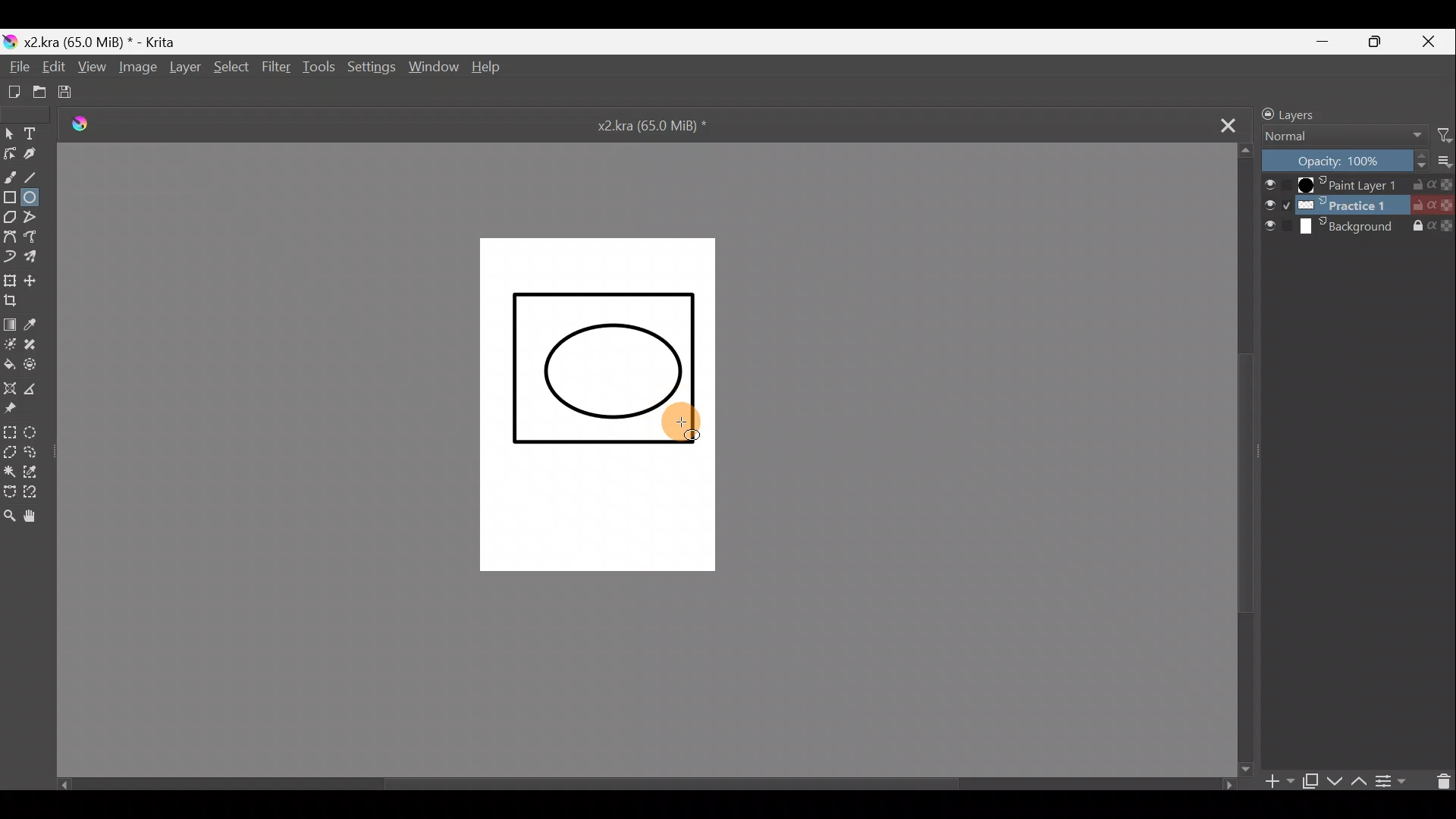 Image resolution: width=1456 pixels, height=819 pixels. Describe the element at coordinates (1438, 136) in the screenshot. I see `Filter` at that location.